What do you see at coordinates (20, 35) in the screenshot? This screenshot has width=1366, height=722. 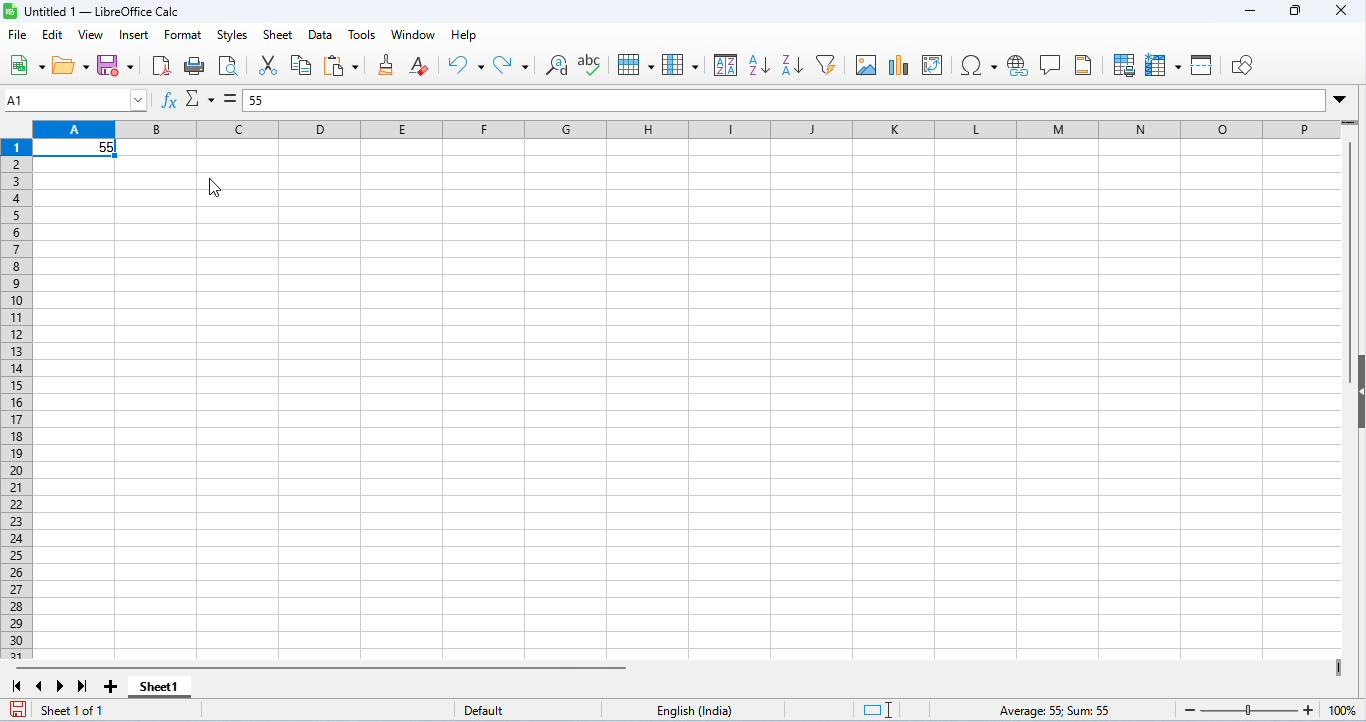 I see `file` at bounding box center [20, 35].